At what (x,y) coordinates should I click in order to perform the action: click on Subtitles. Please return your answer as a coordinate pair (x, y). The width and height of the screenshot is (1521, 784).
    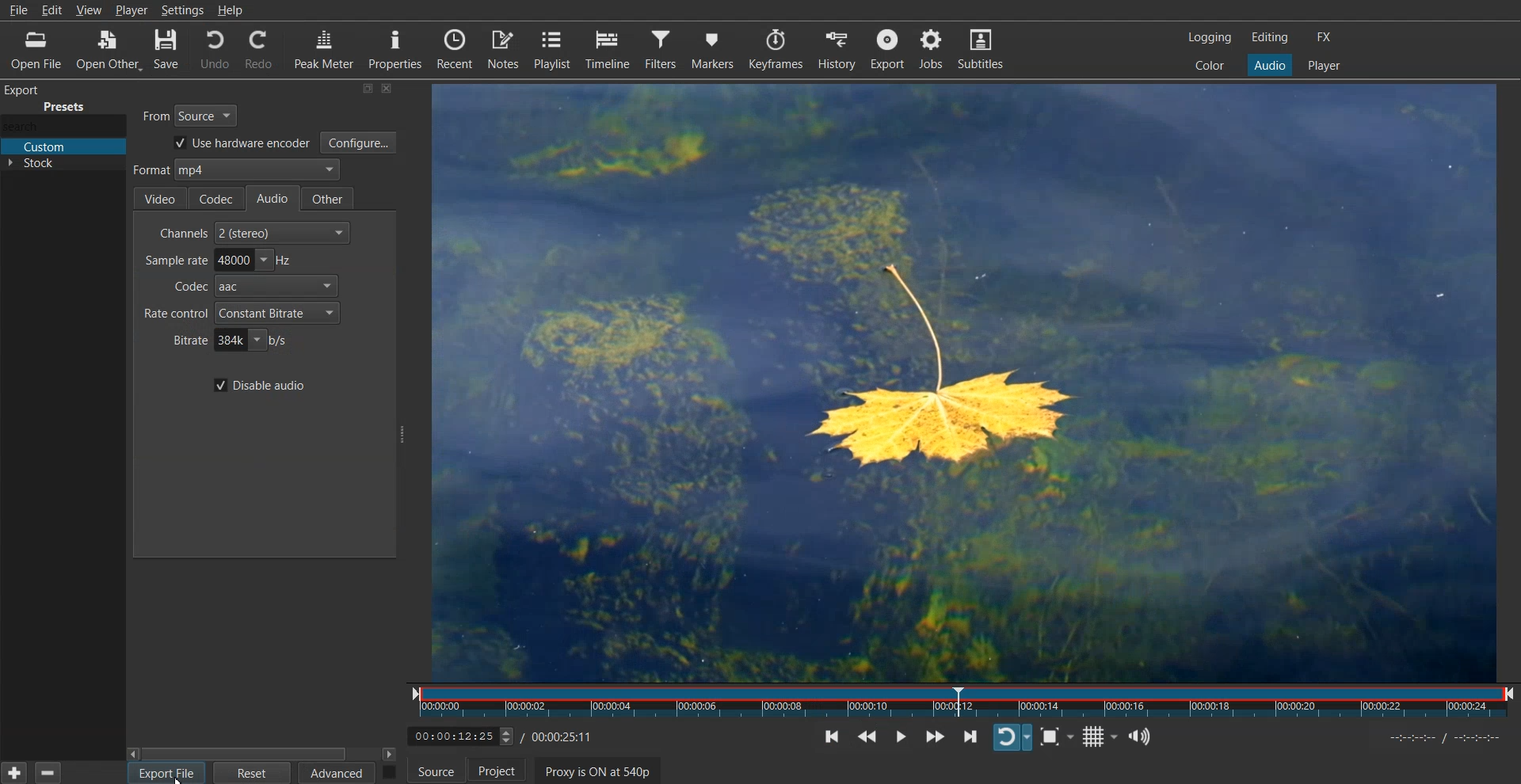
    Looking at the image, I should click on (981, 48).